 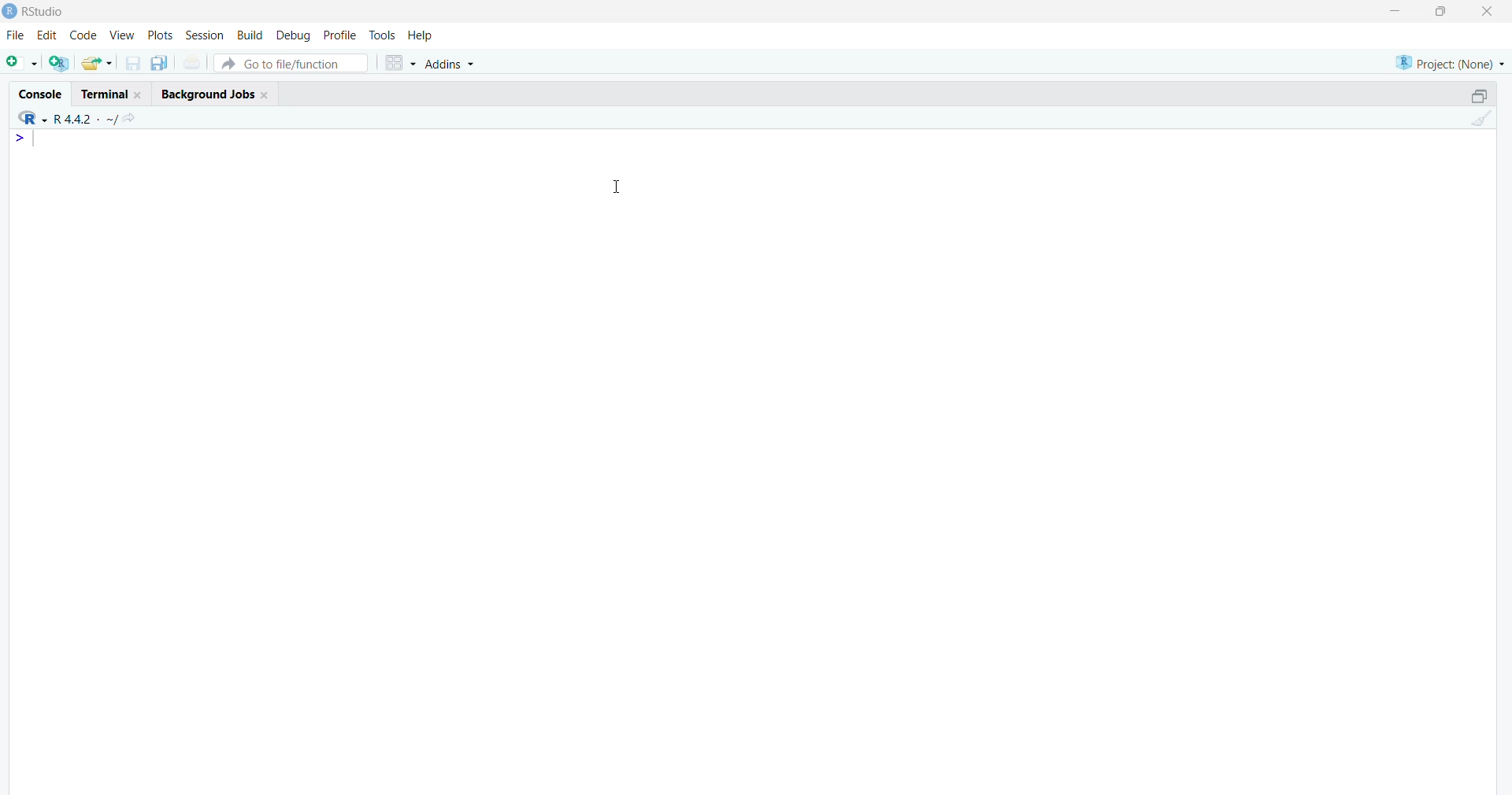 I want to click on view, so click(x=121, y=34).